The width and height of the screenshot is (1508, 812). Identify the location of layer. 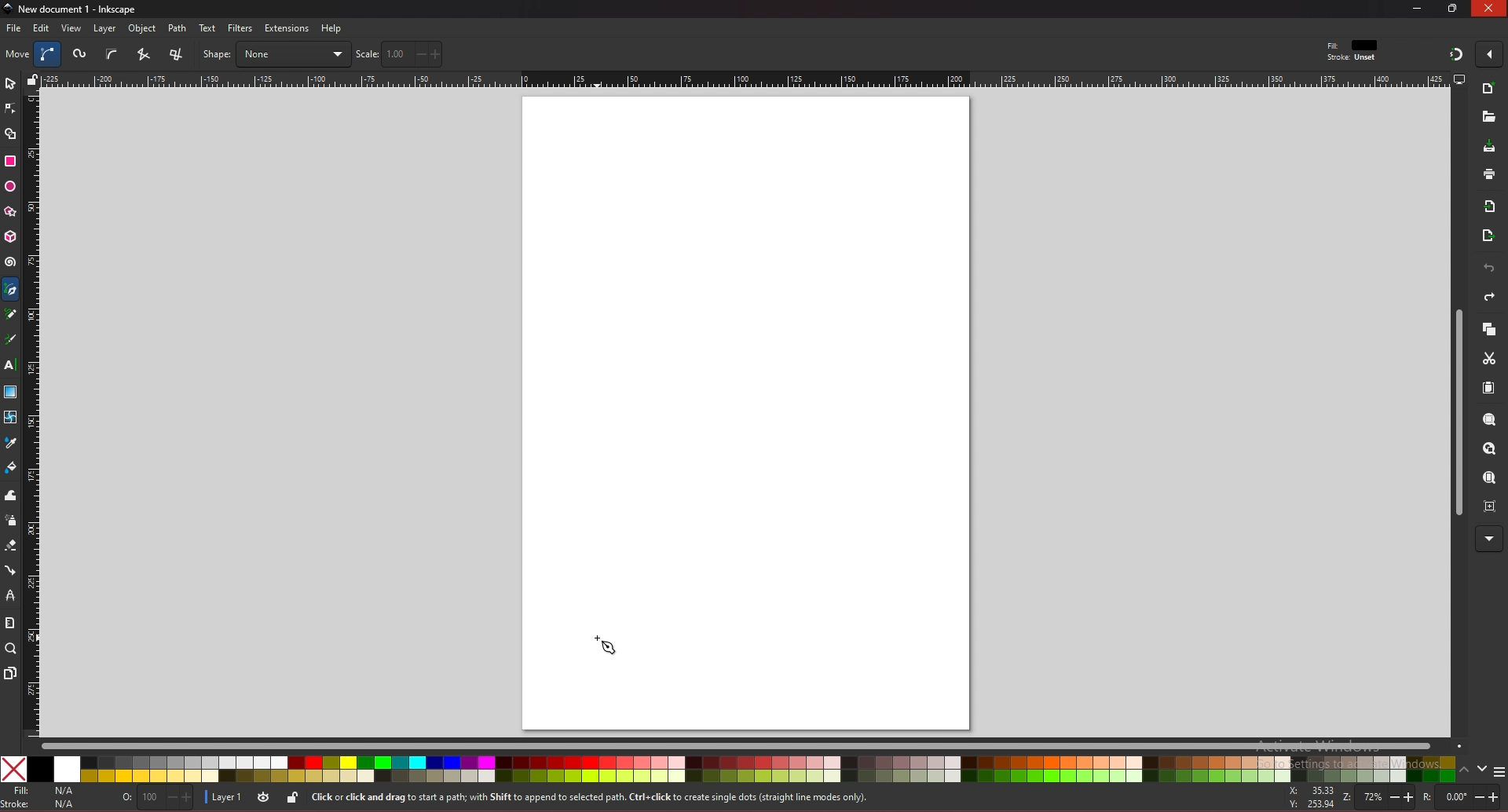
(225, 796).